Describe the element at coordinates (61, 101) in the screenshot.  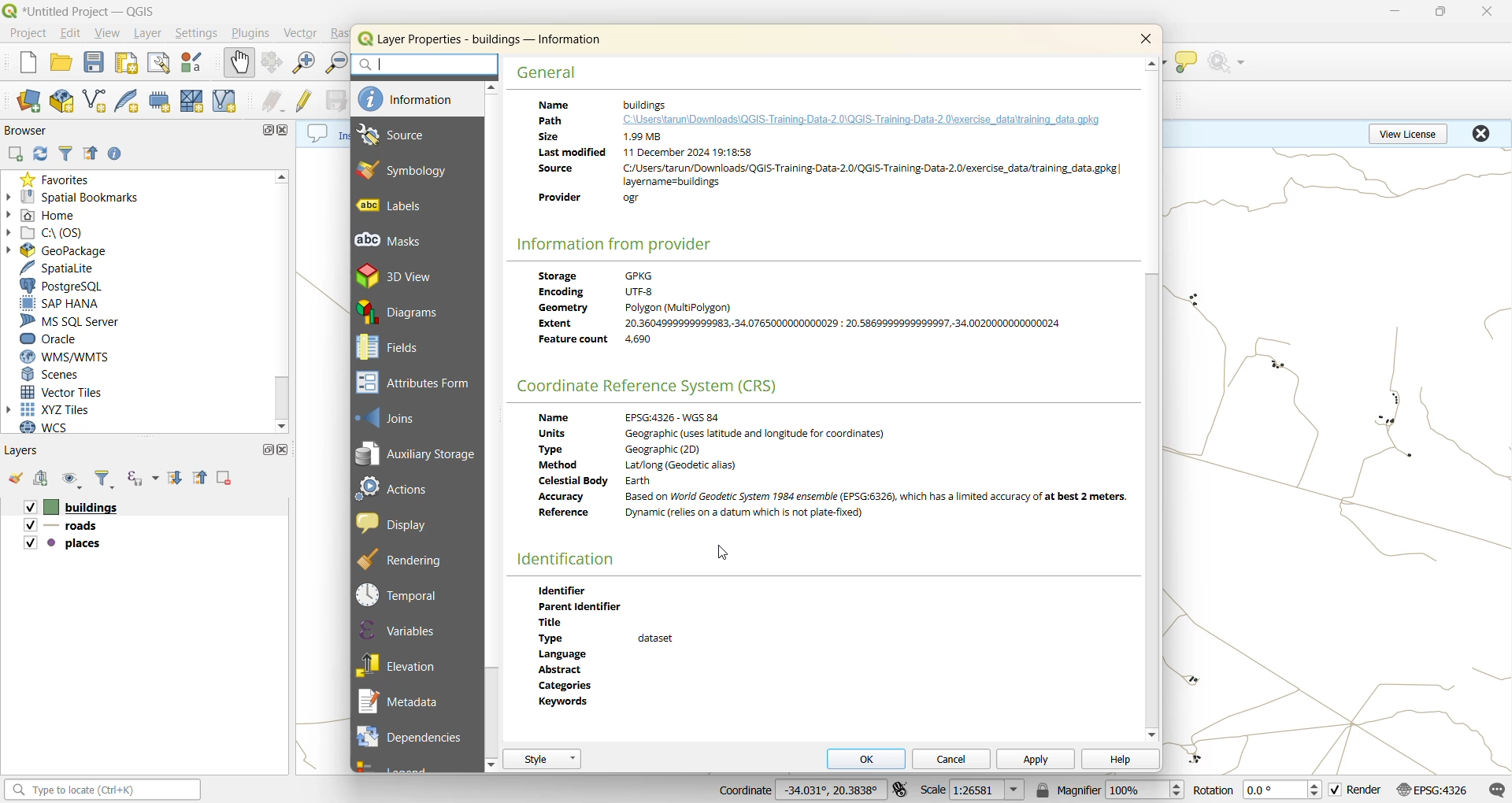
I see `new geopackage` at that location.